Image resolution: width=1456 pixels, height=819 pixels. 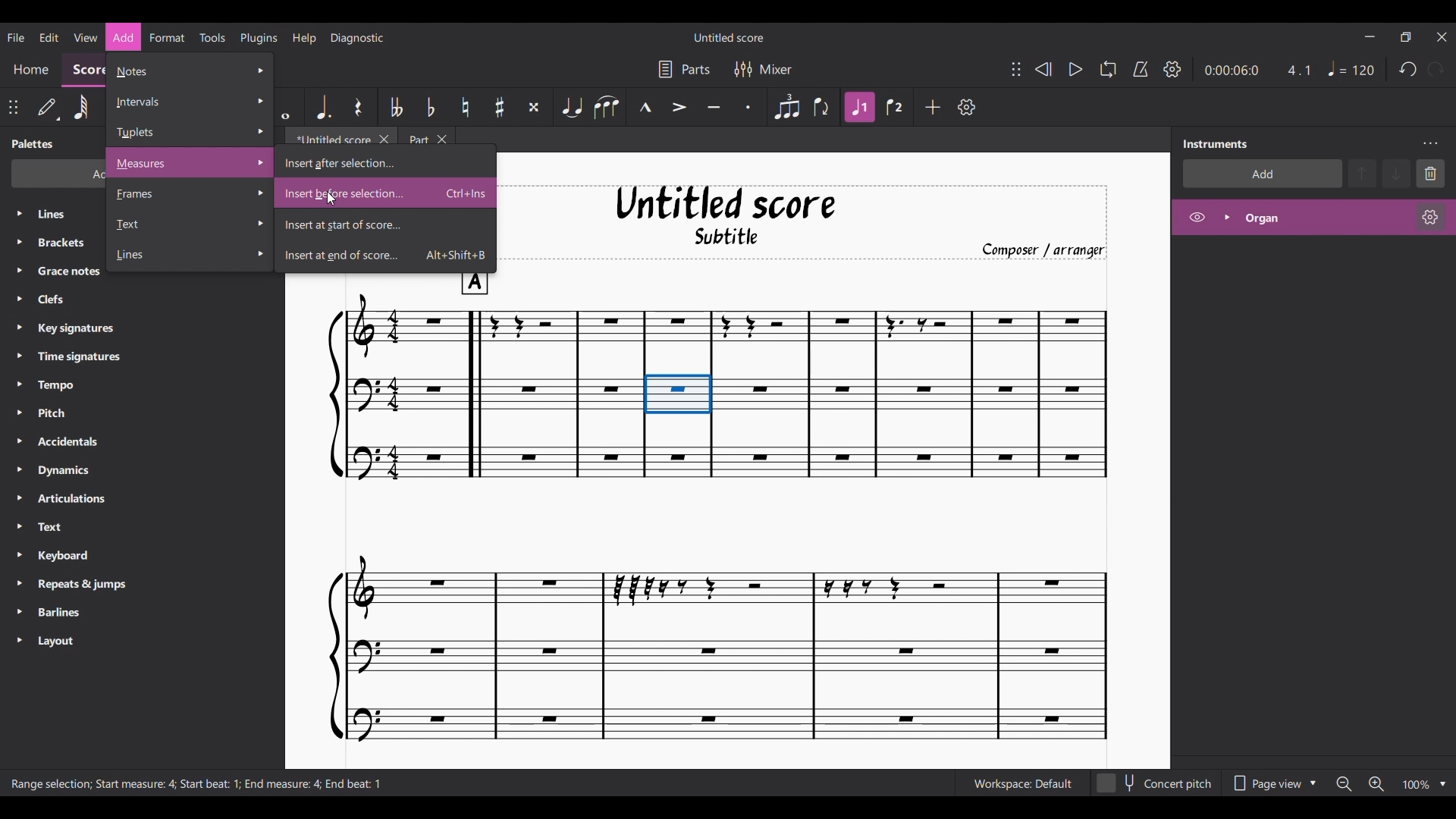 I want to click on Toggle flat, so click(x=430, y=106).